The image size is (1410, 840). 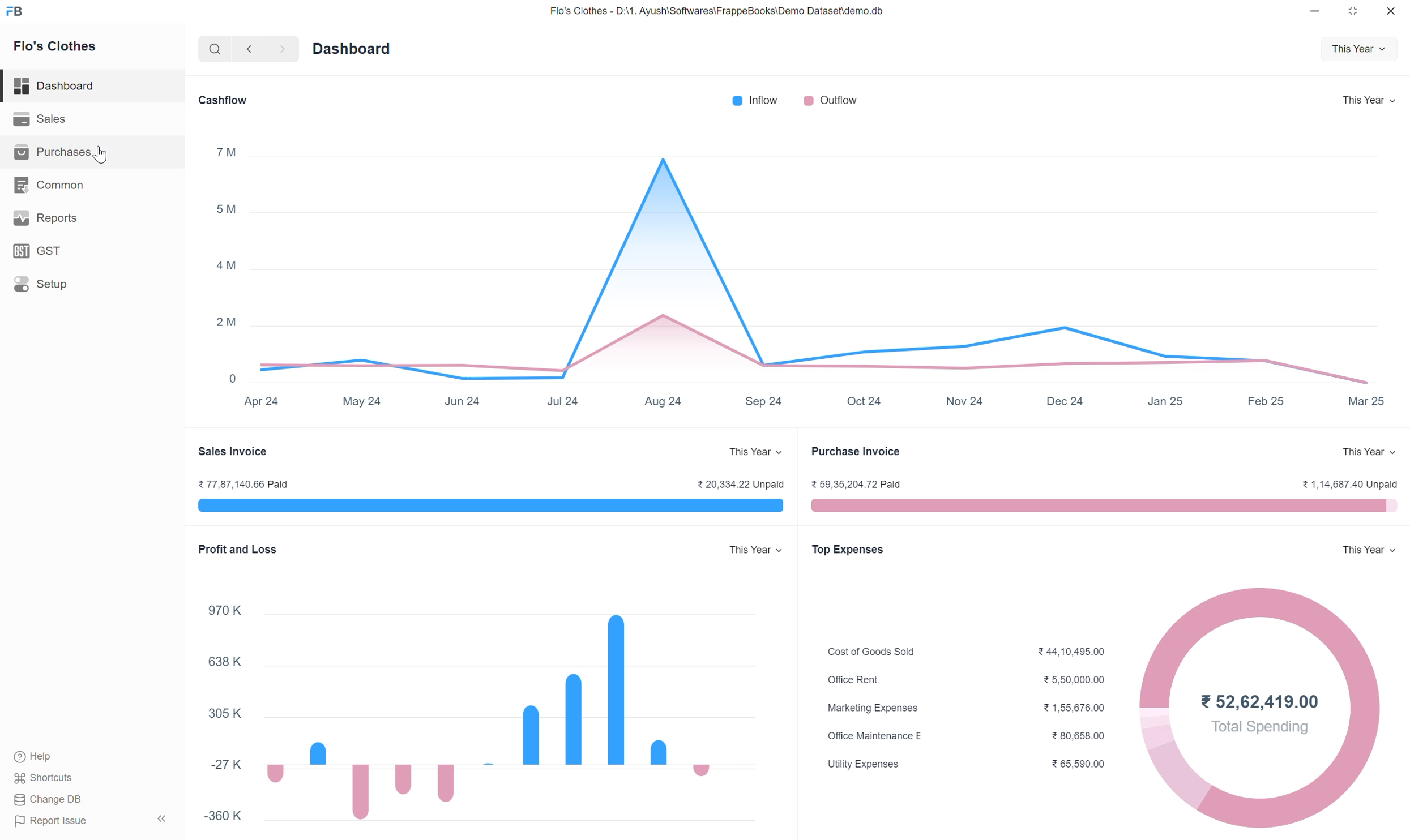 I want to click on dec 24, so click(x=1063, y=404).